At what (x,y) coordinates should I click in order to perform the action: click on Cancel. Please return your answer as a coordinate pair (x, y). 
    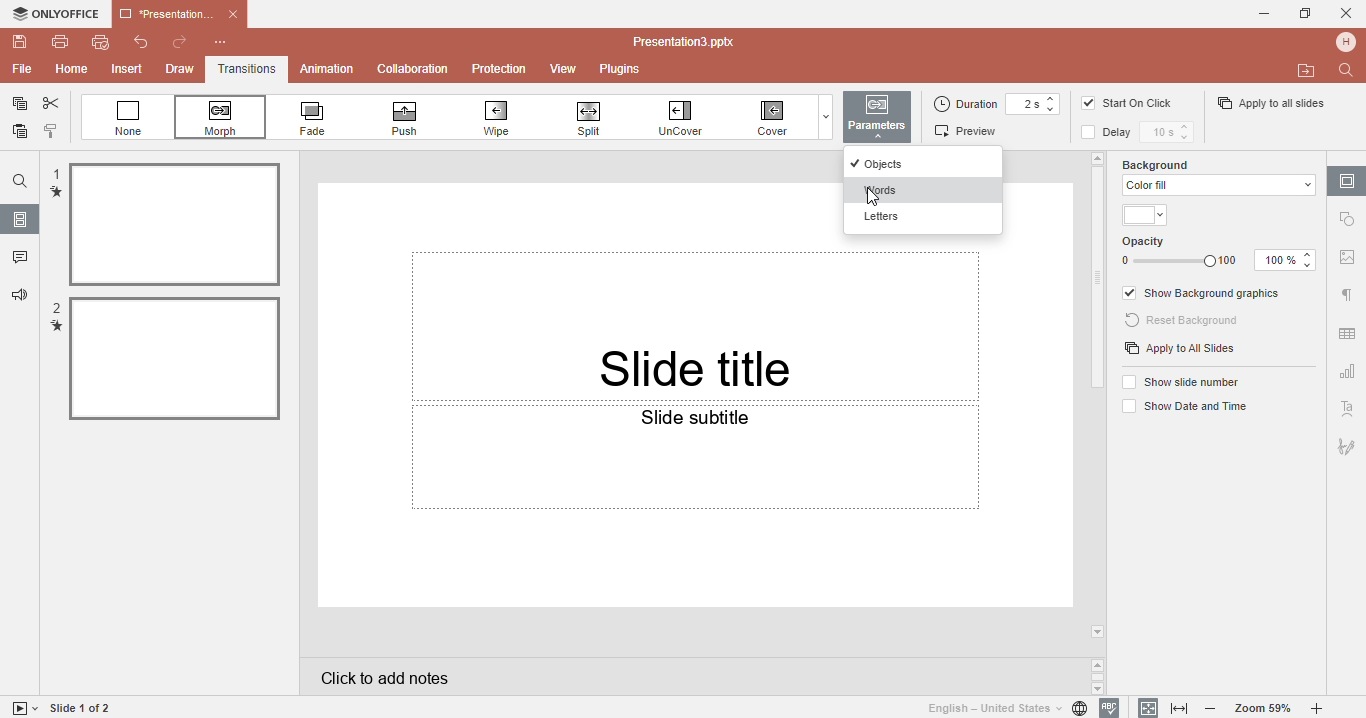
    Looking at the image, I should click on (1346, 13).